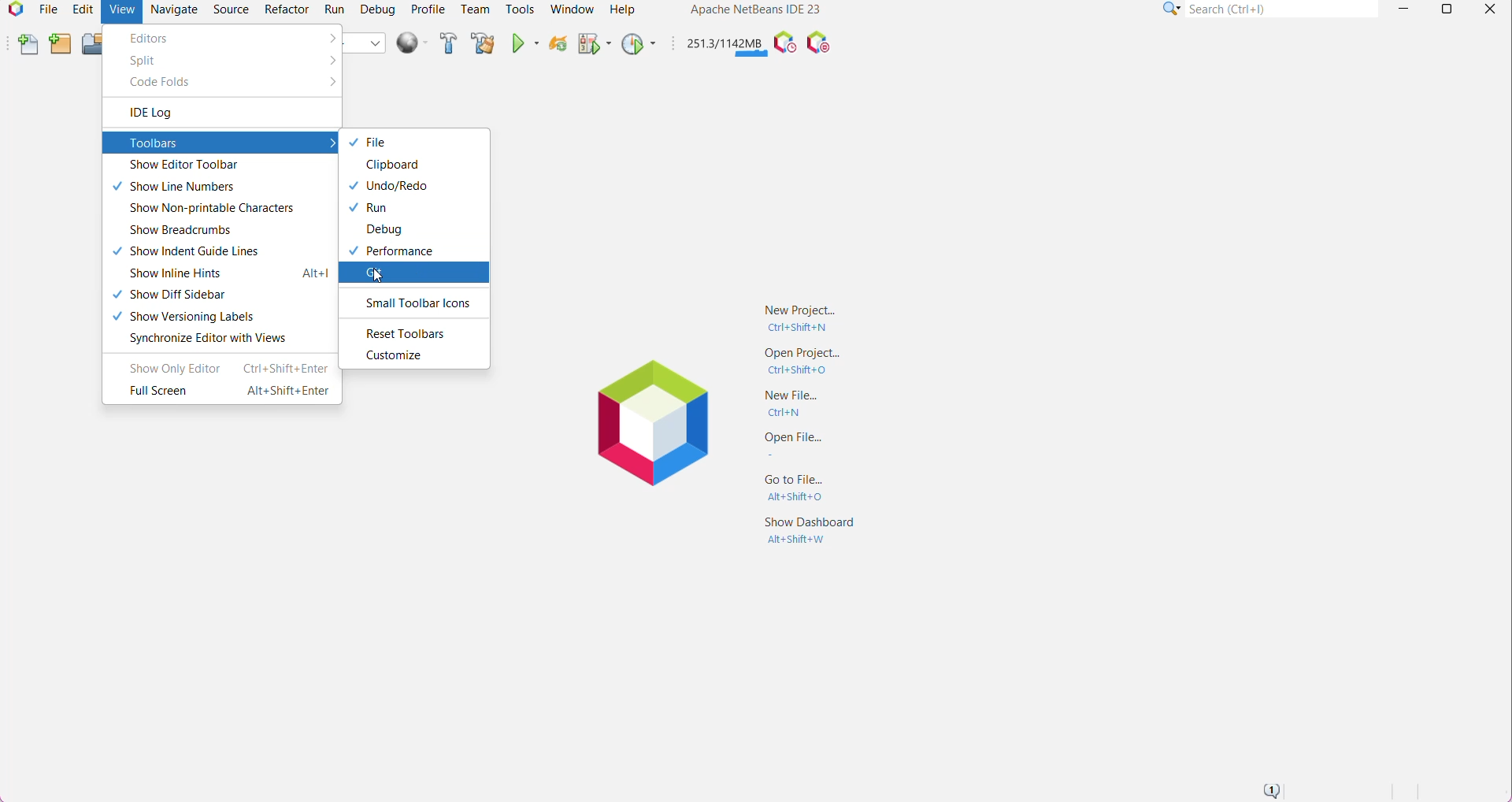  What do you see at coordinates (810, 537) in the screenshot?
I see `Show Dashboard` at bounding box center [810, 537].